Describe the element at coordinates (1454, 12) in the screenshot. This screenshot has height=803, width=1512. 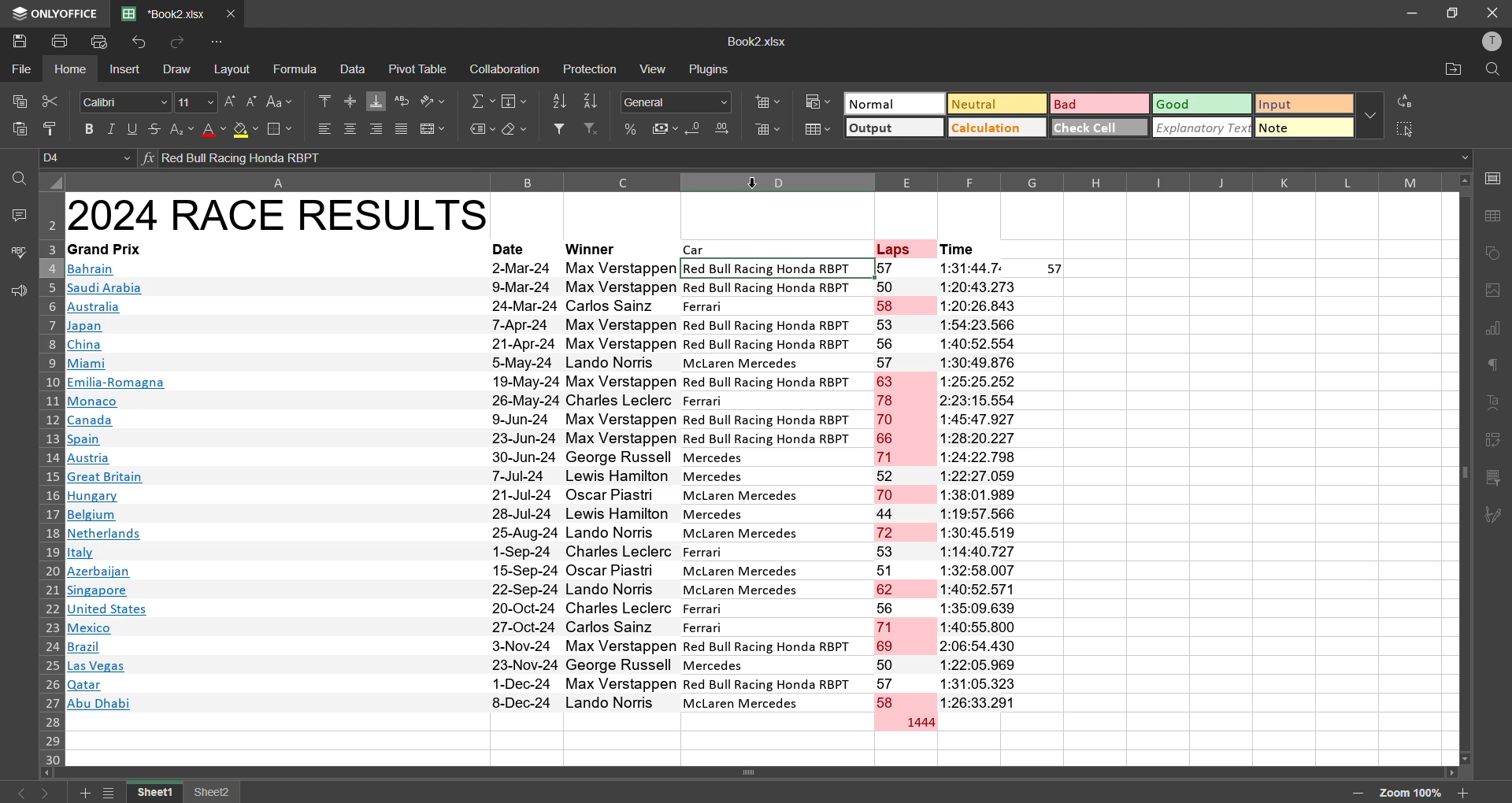
I see `maximize` at that location.